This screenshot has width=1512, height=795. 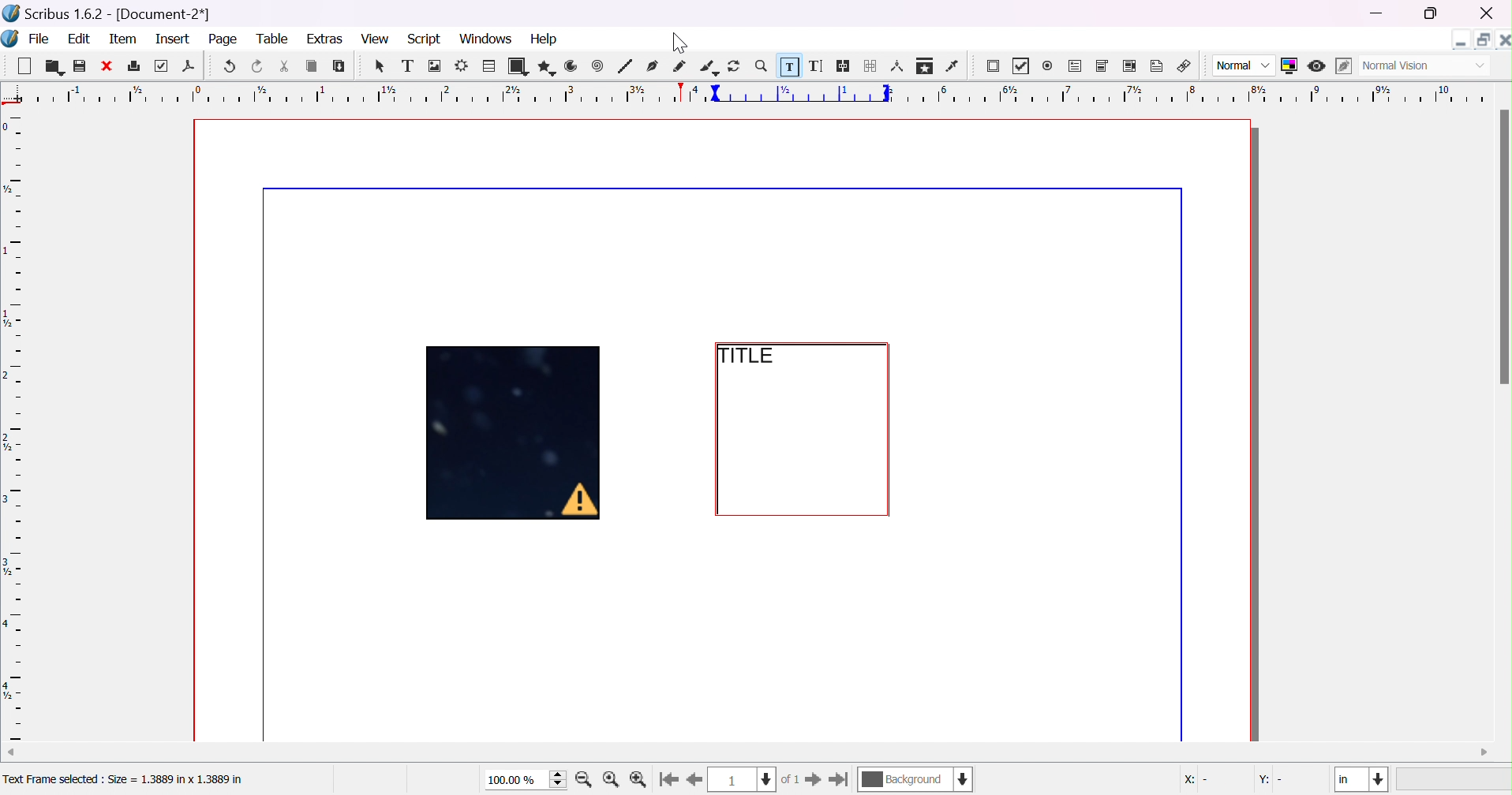 I want to click on arc, so click(x=572, y=65).